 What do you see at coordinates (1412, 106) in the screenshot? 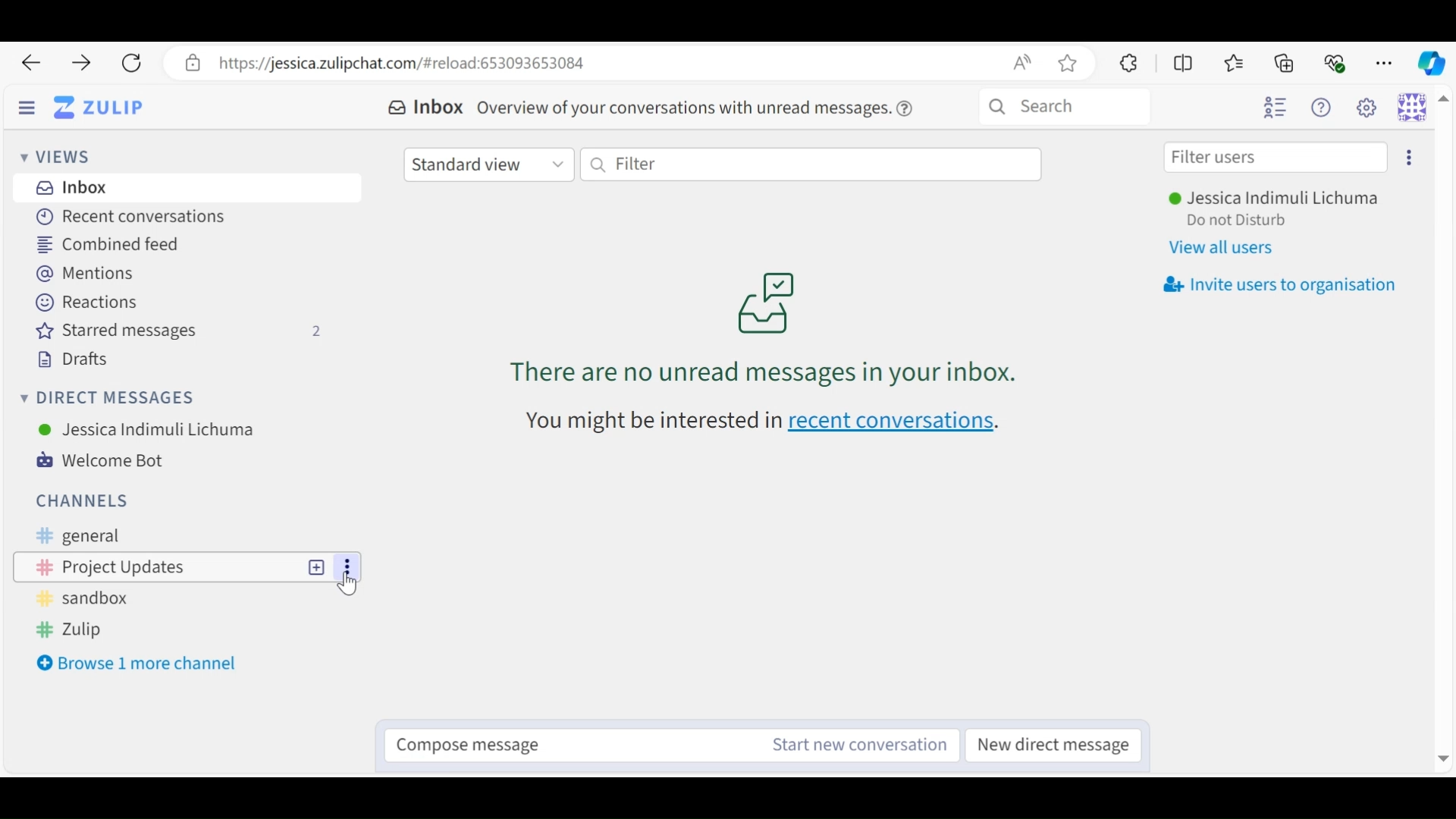
I see `Personal menu` at bounding box center [1412, 106].